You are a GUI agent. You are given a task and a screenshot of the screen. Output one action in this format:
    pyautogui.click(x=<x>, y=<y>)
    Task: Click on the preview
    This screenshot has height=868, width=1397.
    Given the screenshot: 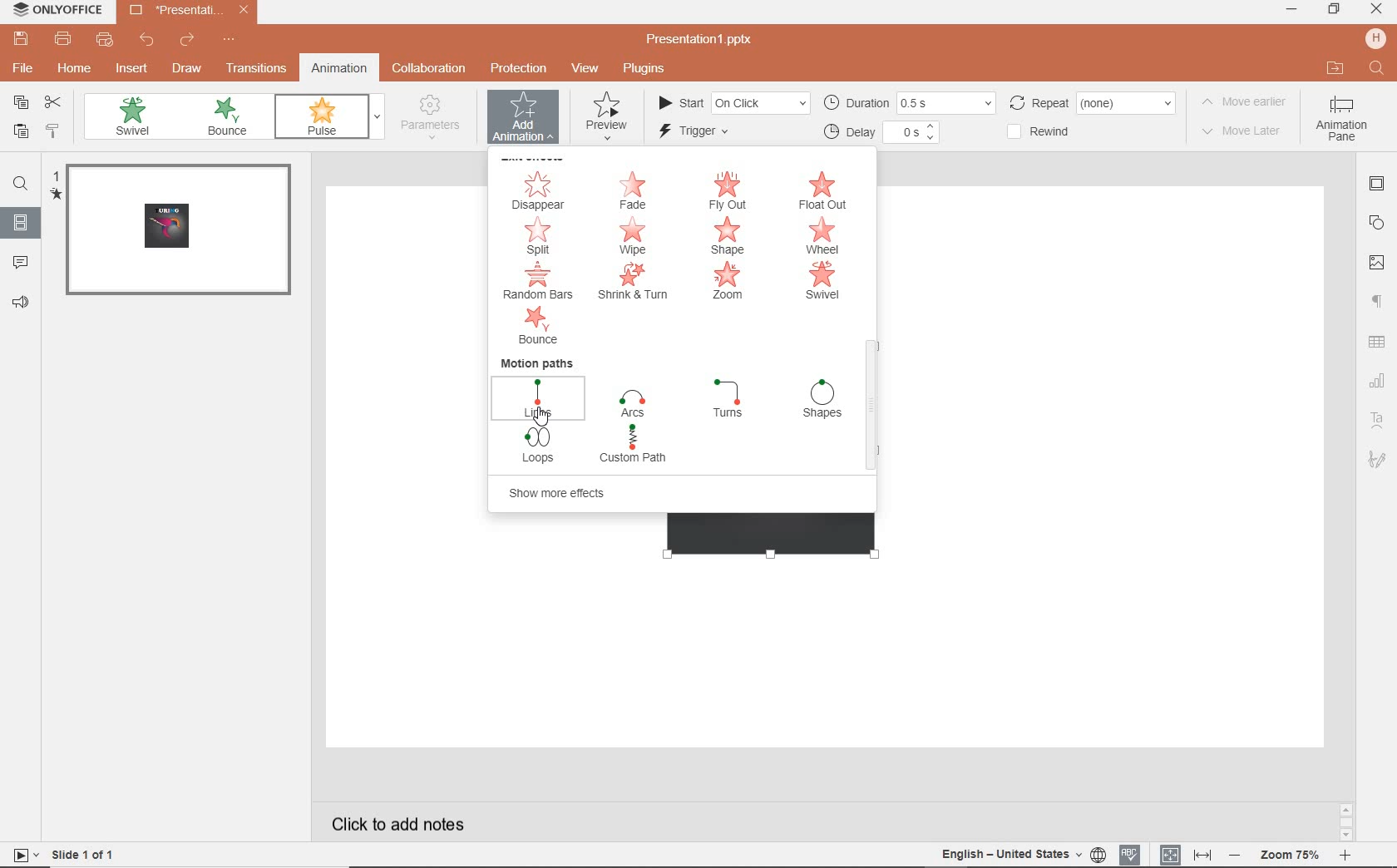 What is the action you would take?
    pyautogui.click(x=610, y=117)
    